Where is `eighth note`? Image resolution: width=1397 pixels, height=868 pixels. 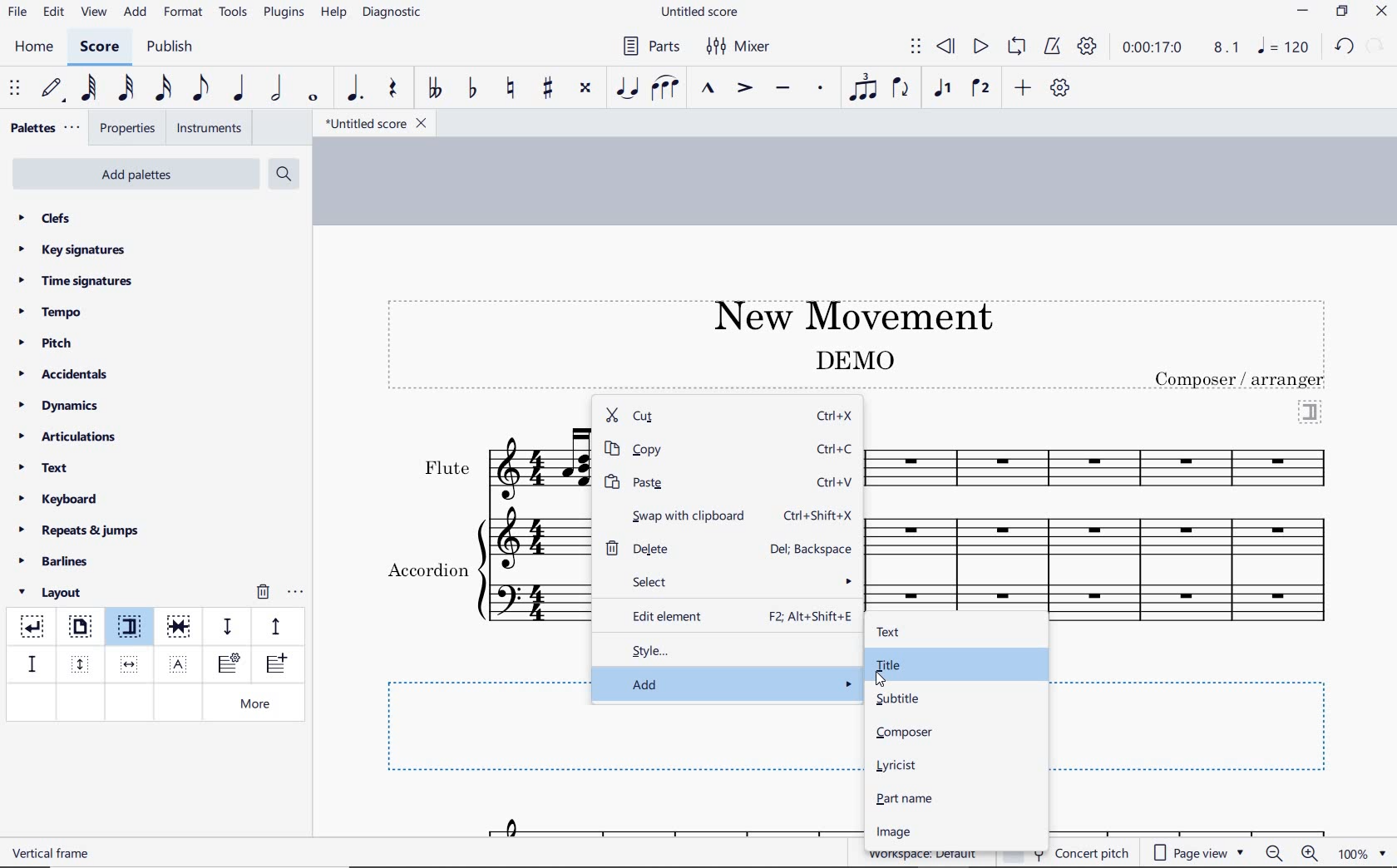
eighth note is located at coordinates (200, 91).